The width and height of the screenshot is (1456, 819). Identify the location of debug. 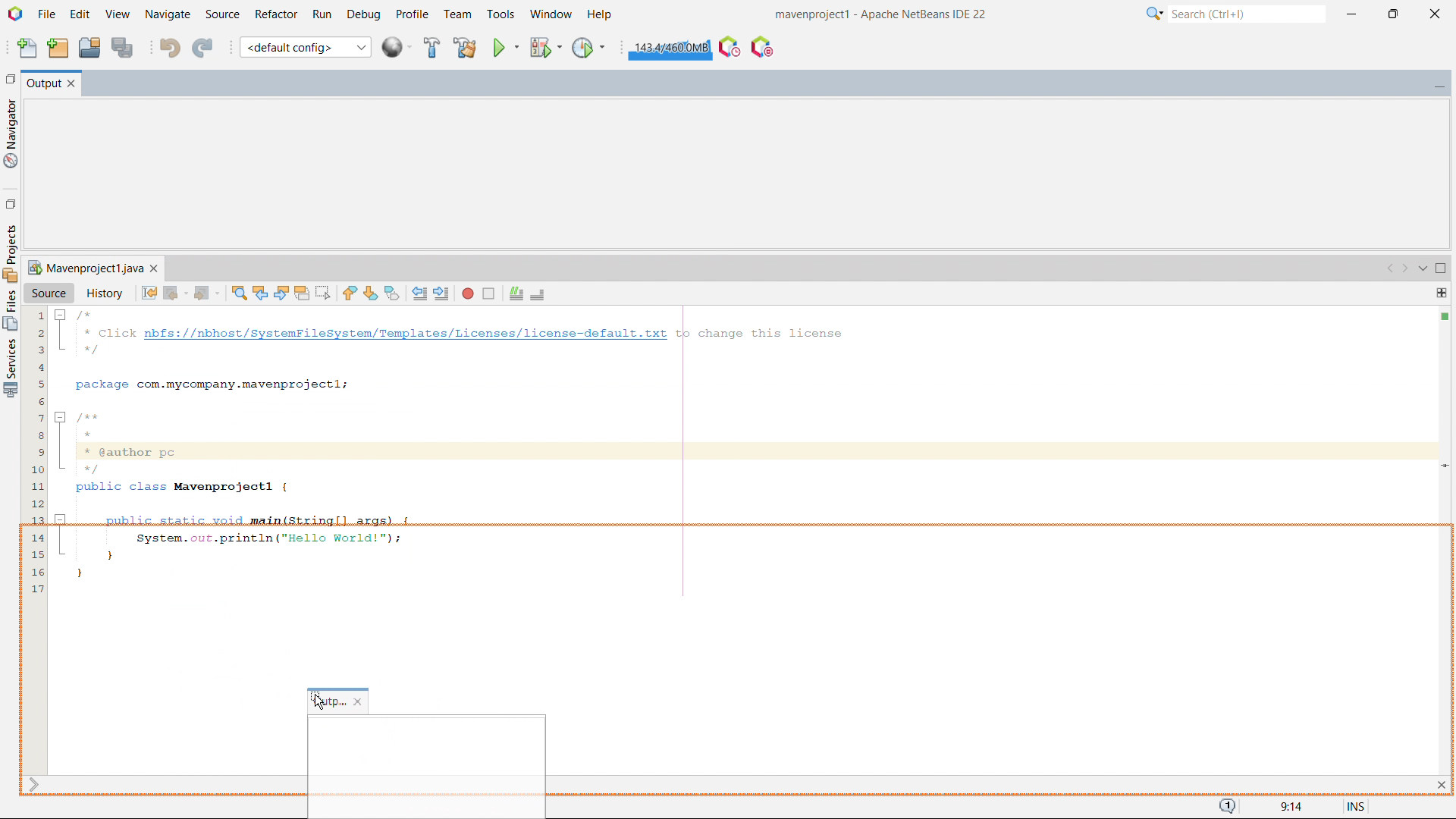
(363, 15).